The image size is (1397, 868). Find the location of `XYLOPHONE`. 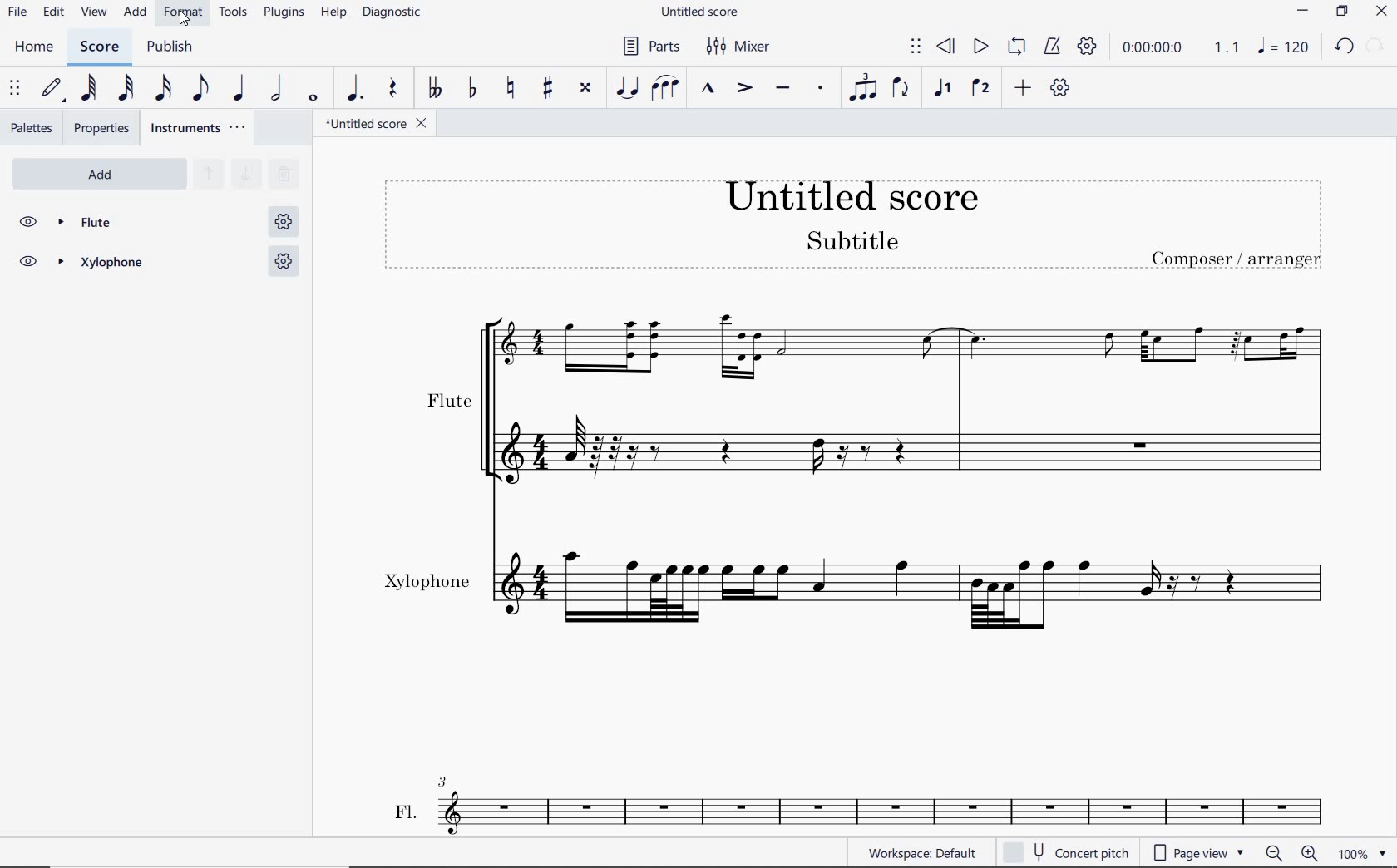

XYLOPHONE is located at coordinates (155, 264).